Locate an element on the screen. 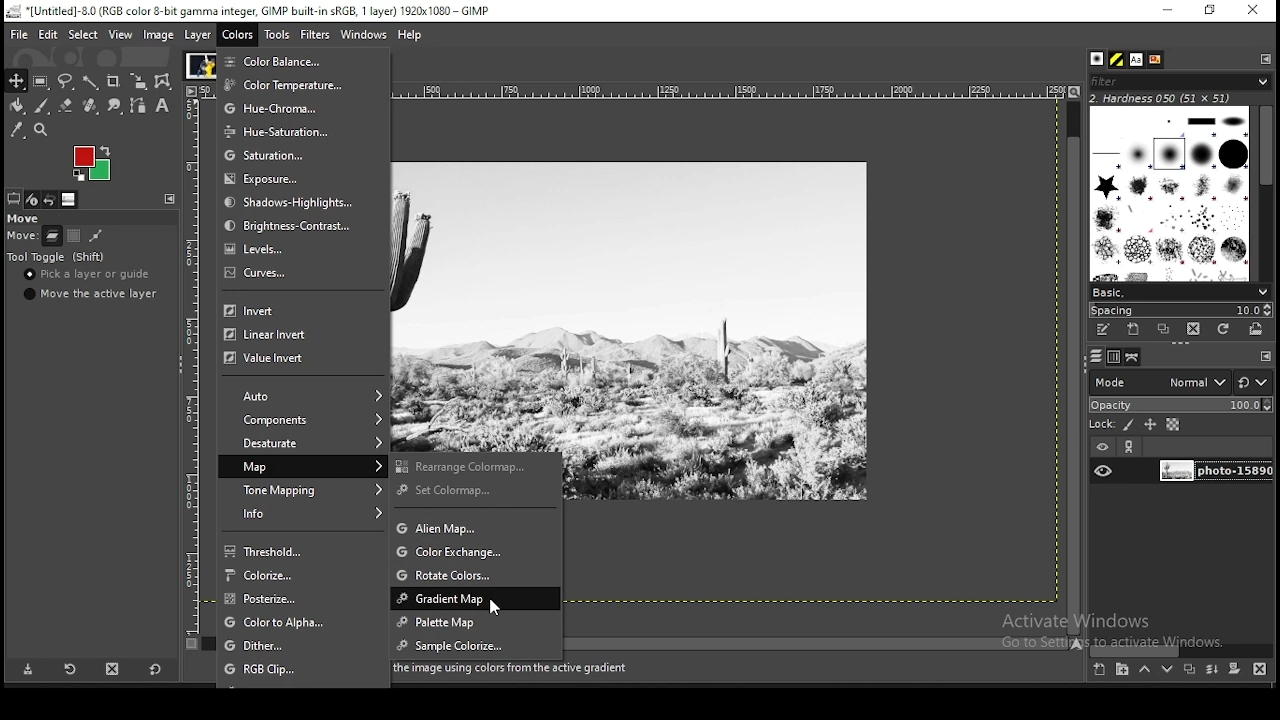 The width and height of the screenshot is (1280, 720). coloroze is located at coordinates (306, 575).